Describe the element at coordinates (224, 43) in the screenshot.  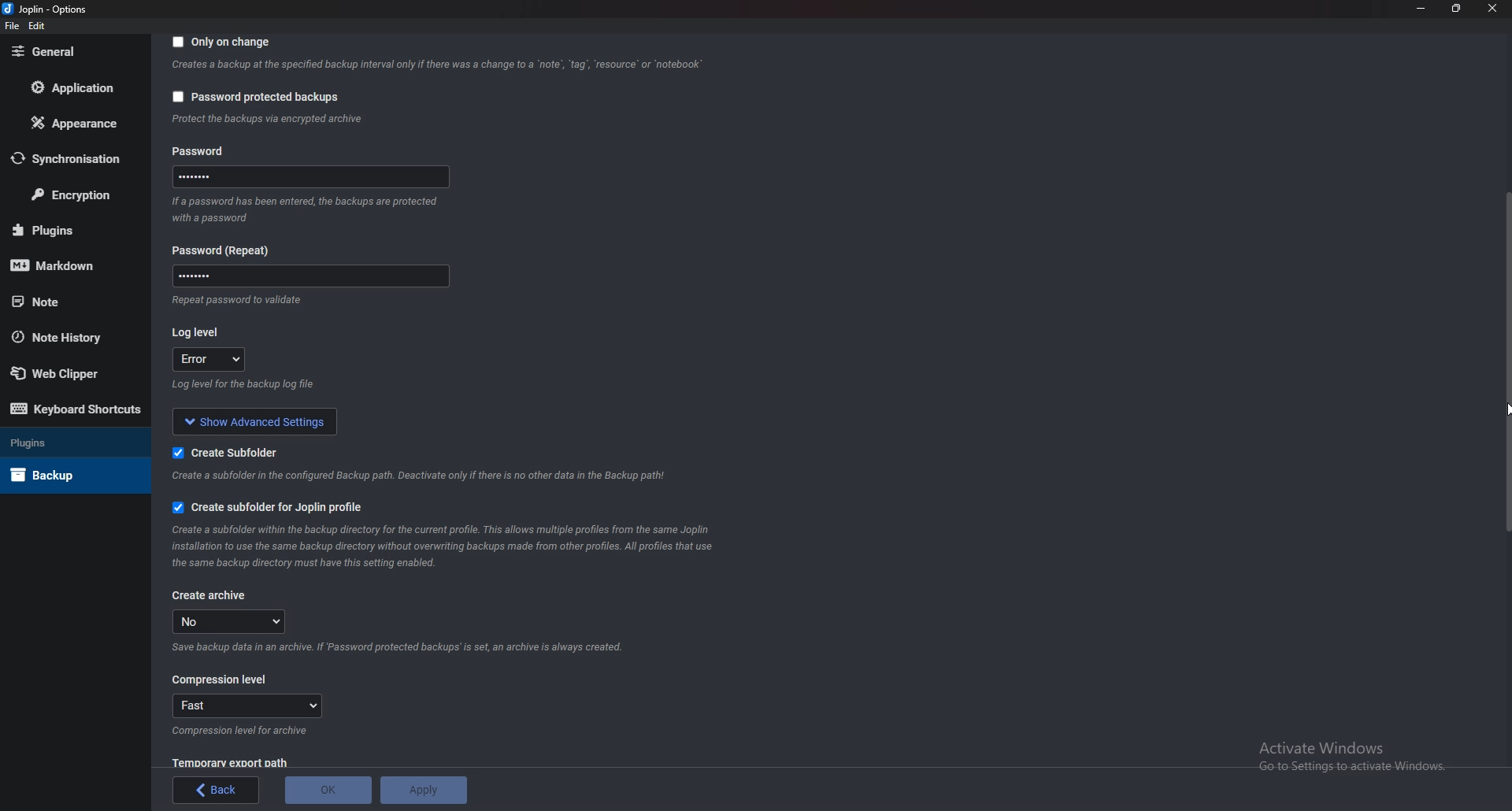
I see `Only on change` at that location.